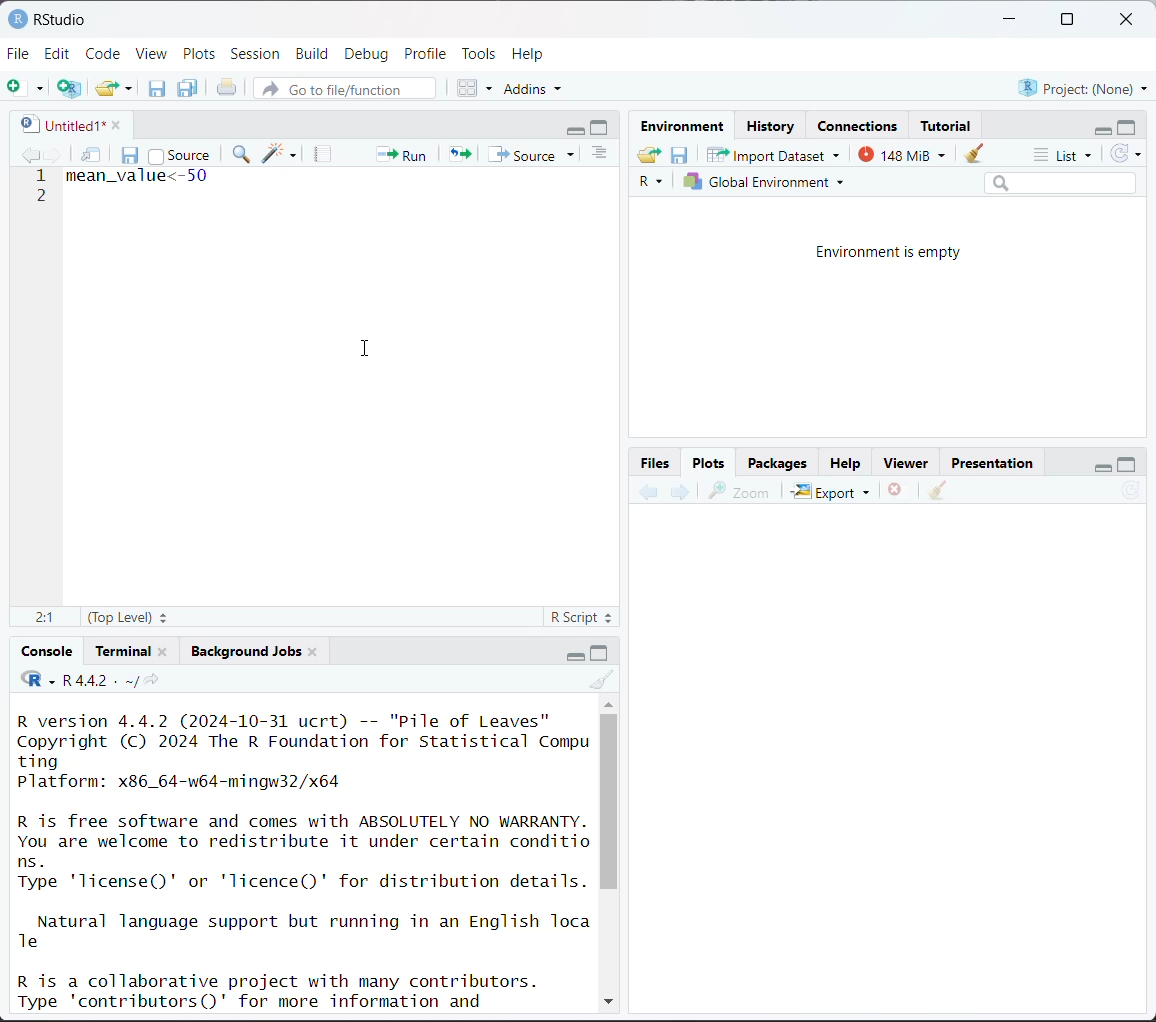 This screenshot has width=1156, height=1022. What do you see at coordinates (948, 123) in the screenshot?
I see `Tutorial` at bounding box center [948, 123].